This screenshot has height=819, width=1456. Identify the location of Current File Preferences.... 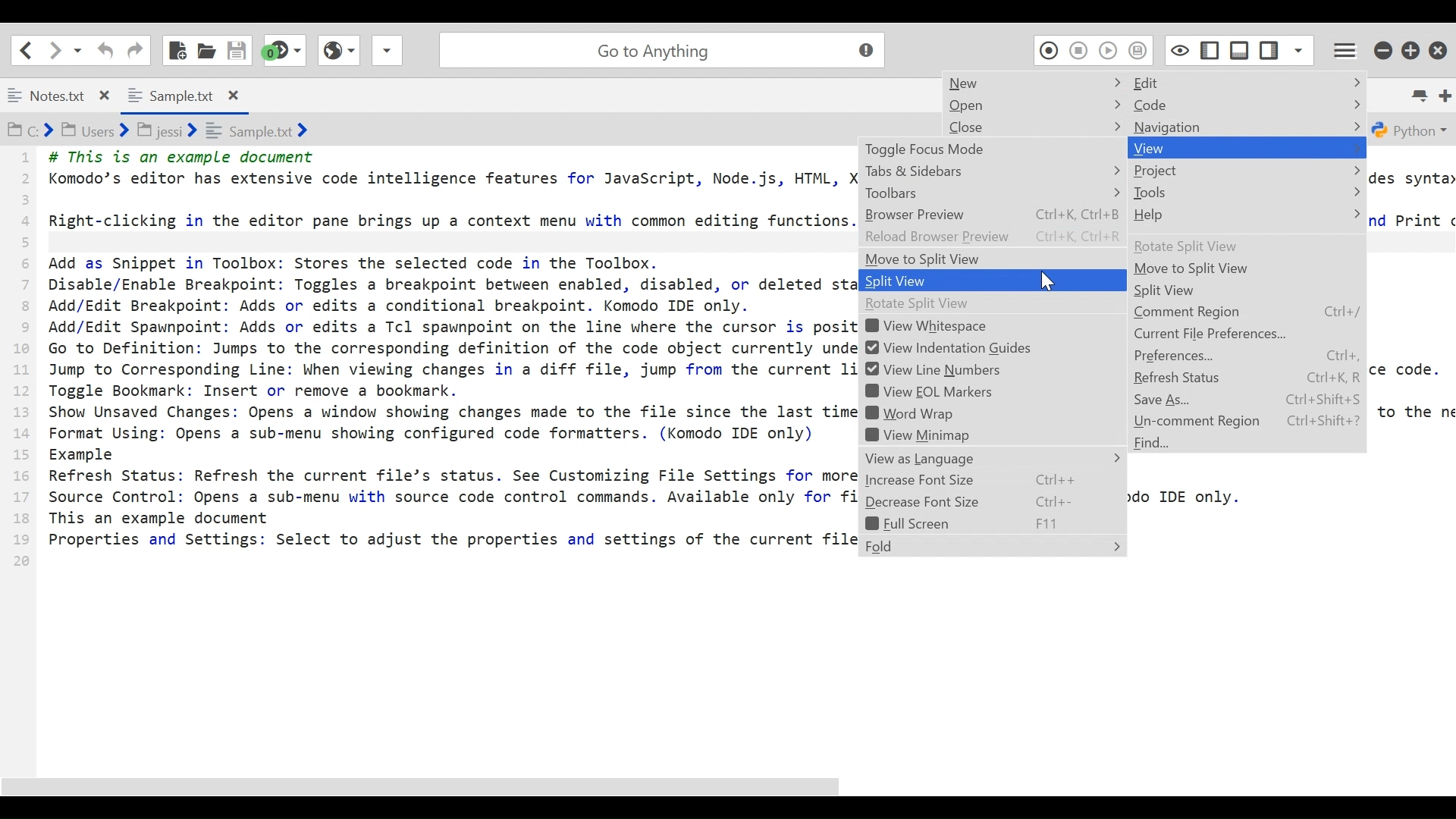
(1248, 334).